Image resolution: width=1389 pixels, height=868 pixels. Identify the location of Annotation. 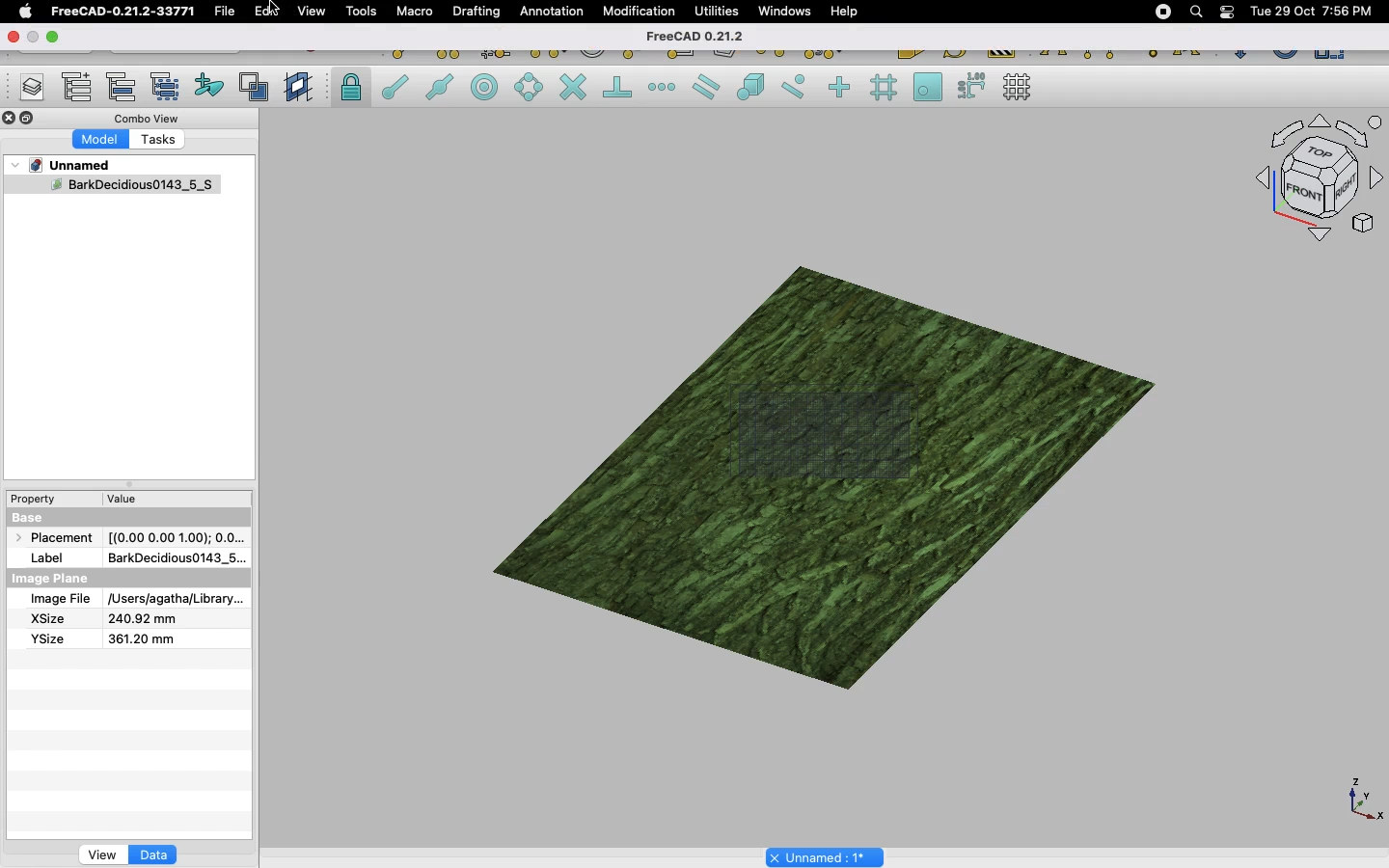
(552, 11).